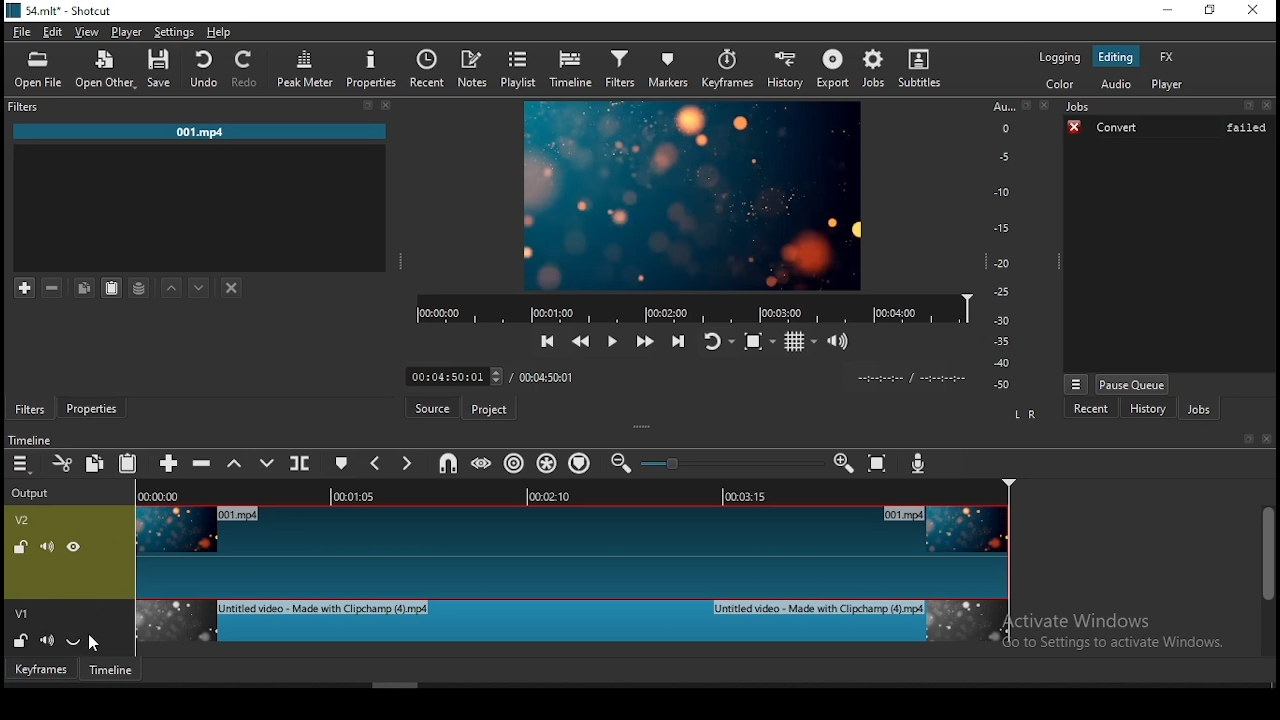  What do you see at coordinates (904, 378) in the screenshot?
I see `TIMER` at bounding box center [904, 378].